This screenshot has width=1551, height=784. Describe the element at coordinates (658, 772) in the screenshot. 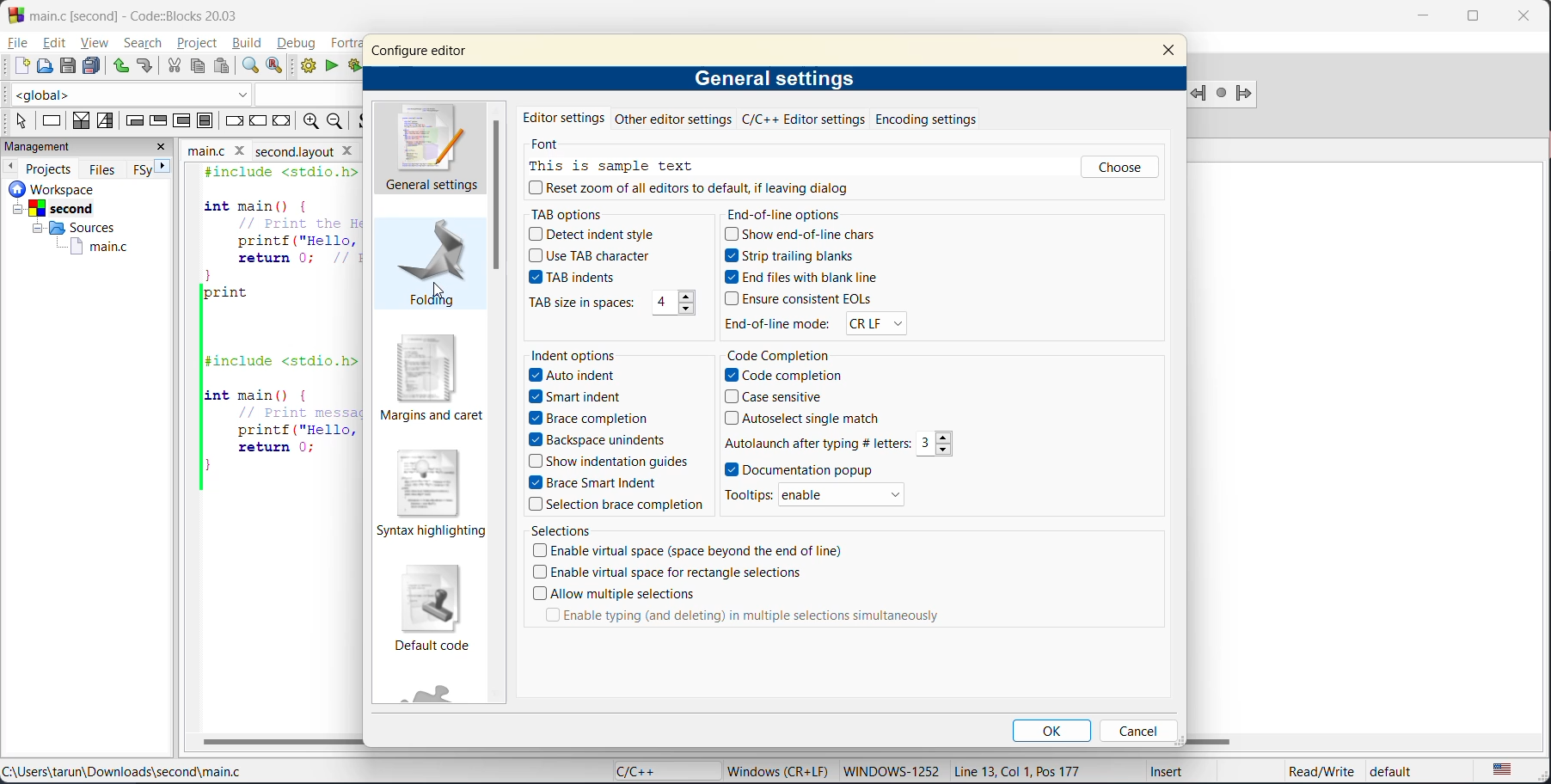

I see `language` at that location.